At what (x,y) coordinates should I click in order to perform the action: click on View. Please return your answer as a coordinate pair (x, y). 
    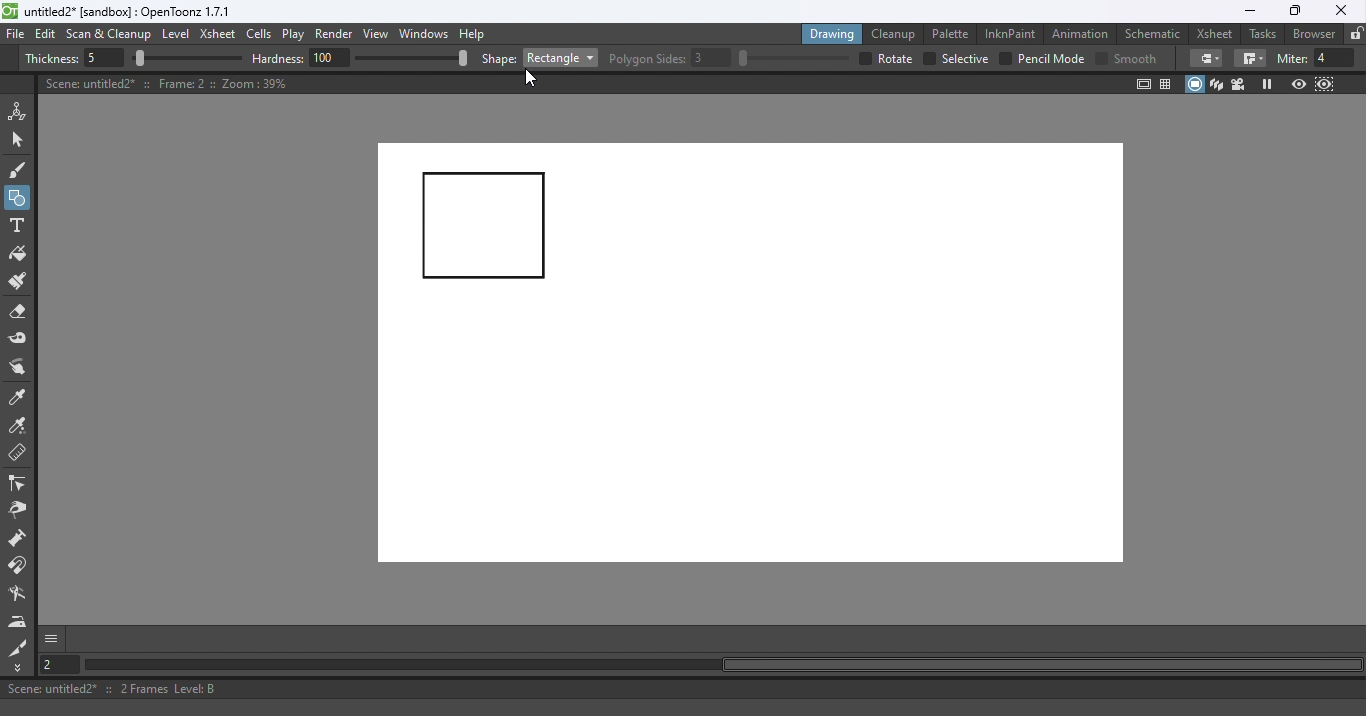
    Looking at the image, I should click on (379, 36).